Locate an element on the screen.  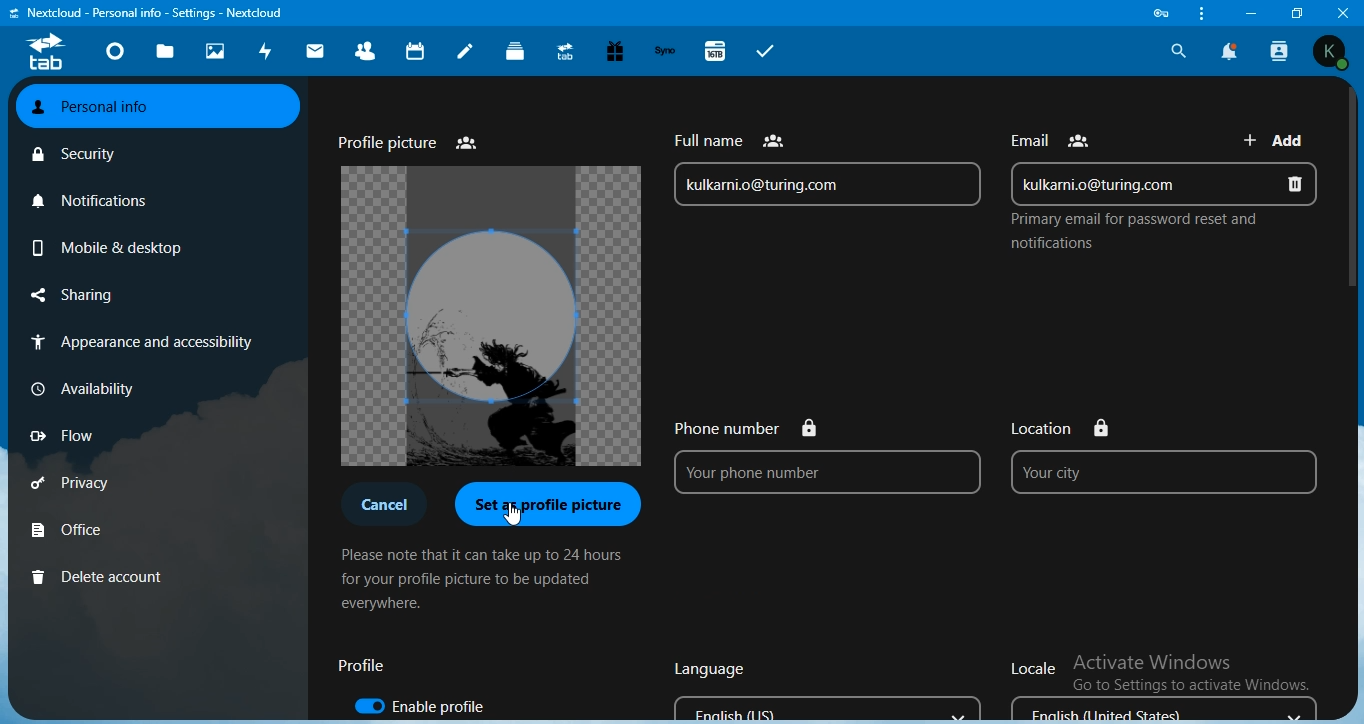
deck is located at coordinates (517, 51).